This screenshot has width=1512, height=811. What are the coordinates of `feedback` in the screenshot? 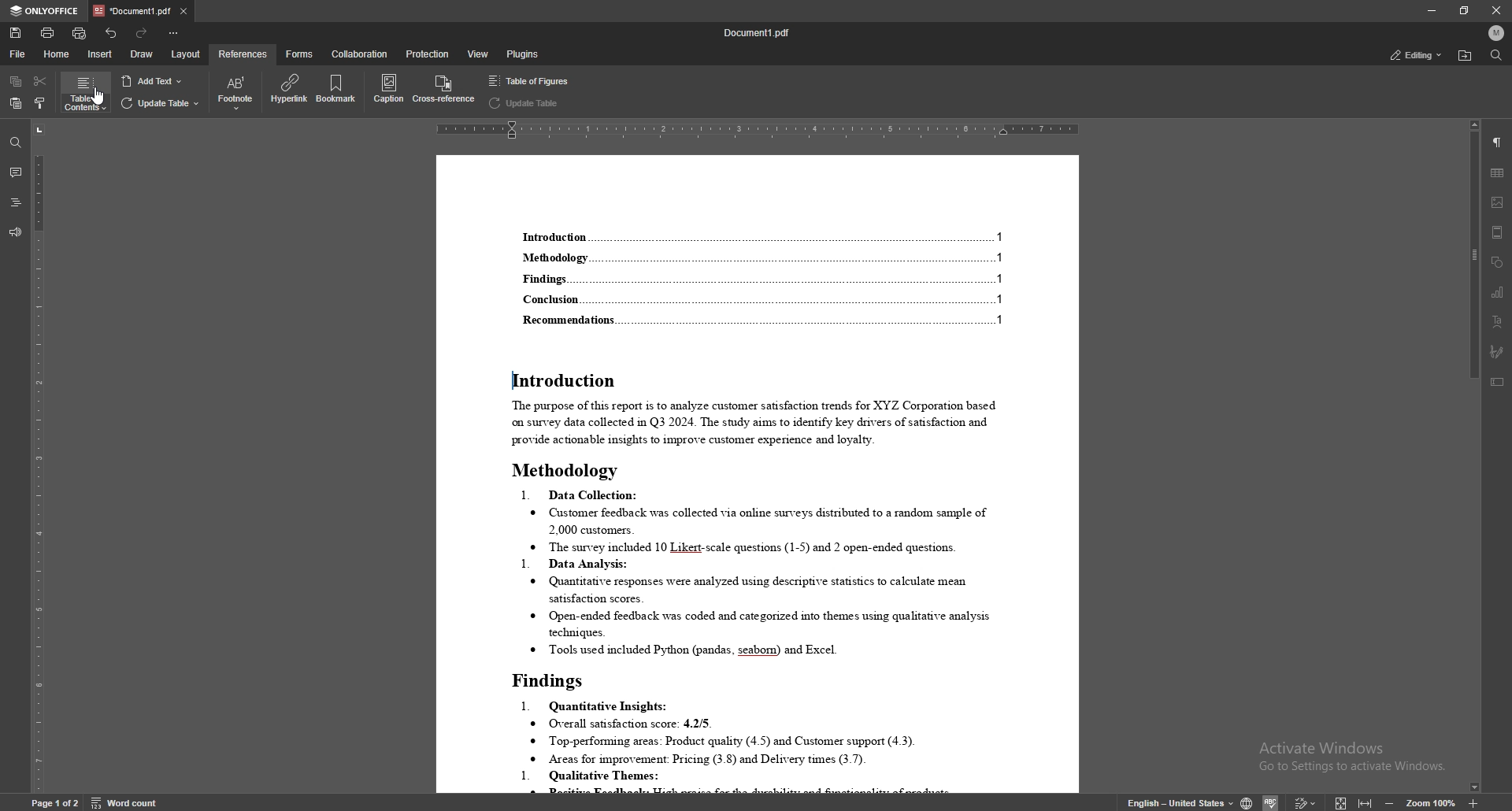 It's located at (16, 232).